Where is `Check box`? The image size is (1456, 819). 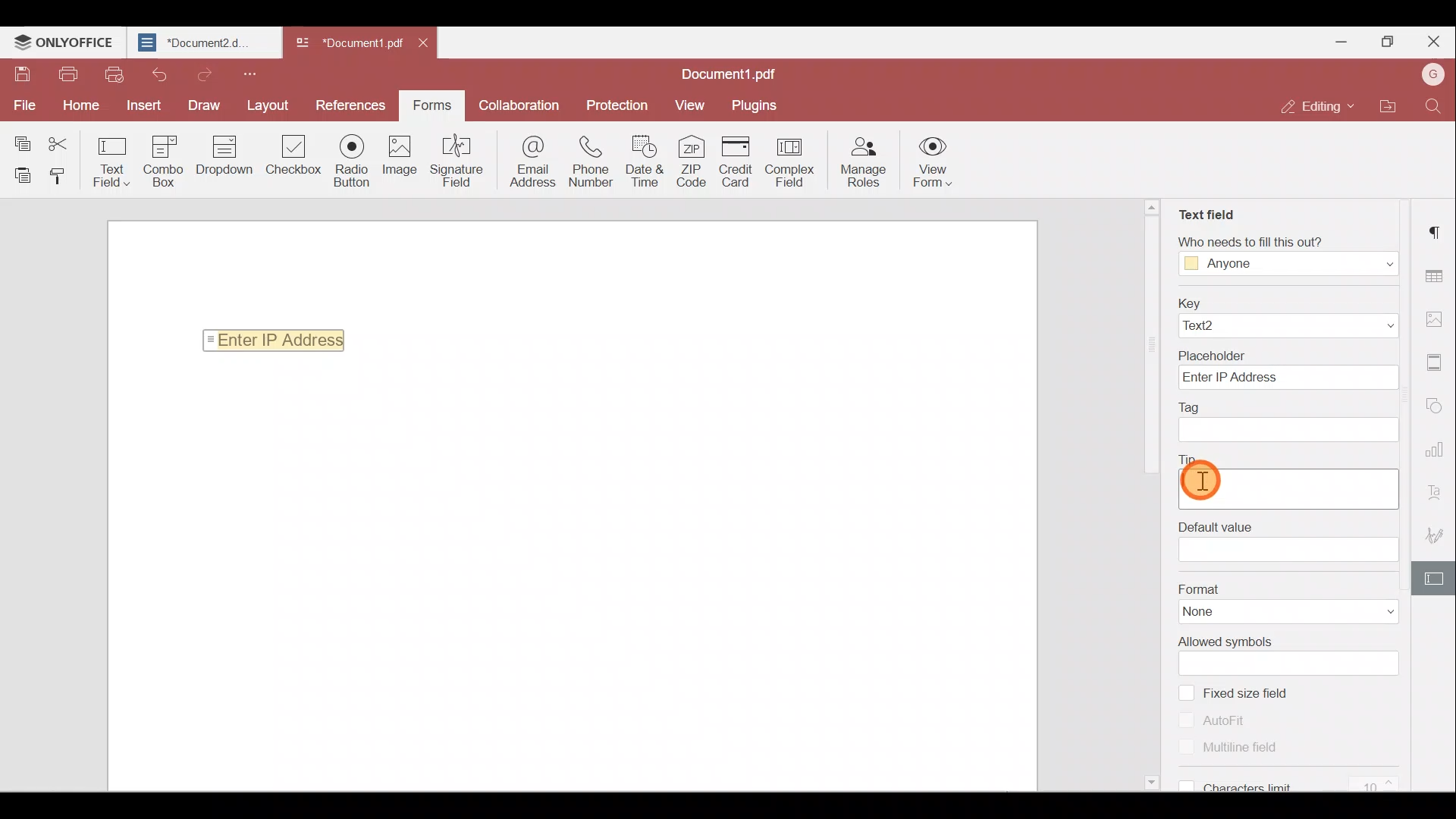 Check box is located at coordinates (293, 164).